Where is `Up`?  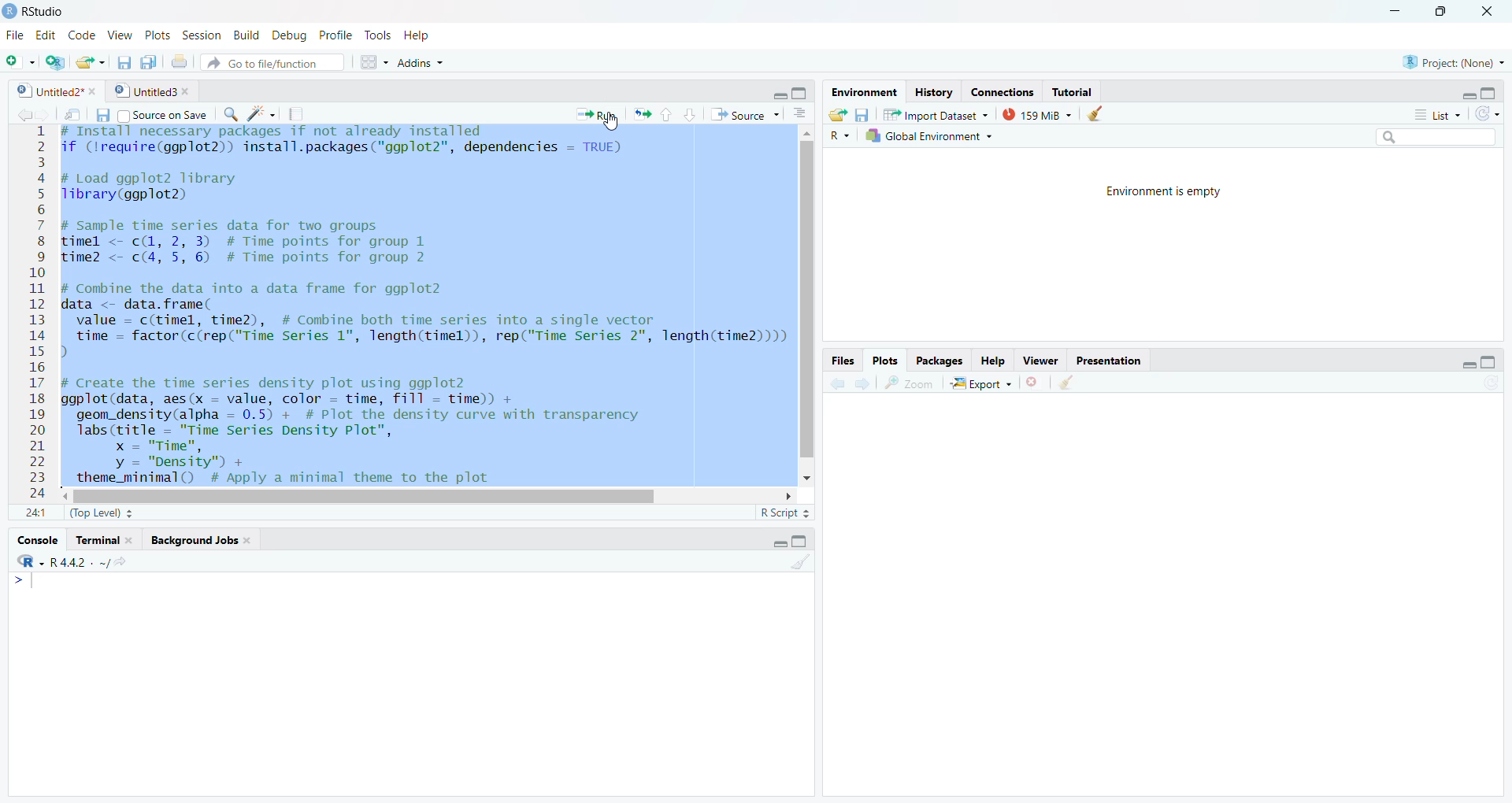 Up is located at coordinates (665, 113).